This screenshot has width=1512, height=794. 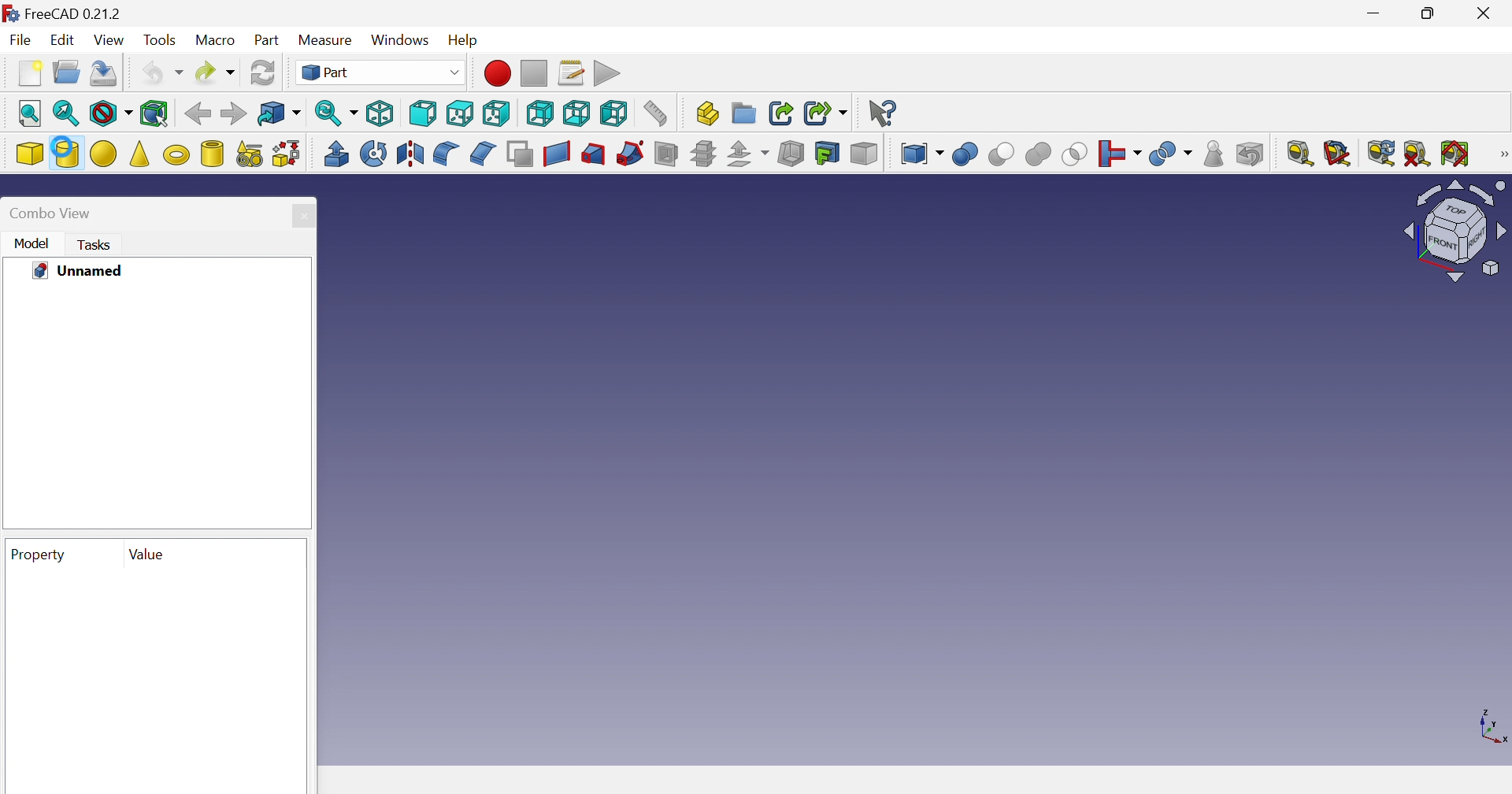 What do you see at coordinates (472, 43) in the screenshot?
I see `Help` at bounding box center [472, 43].